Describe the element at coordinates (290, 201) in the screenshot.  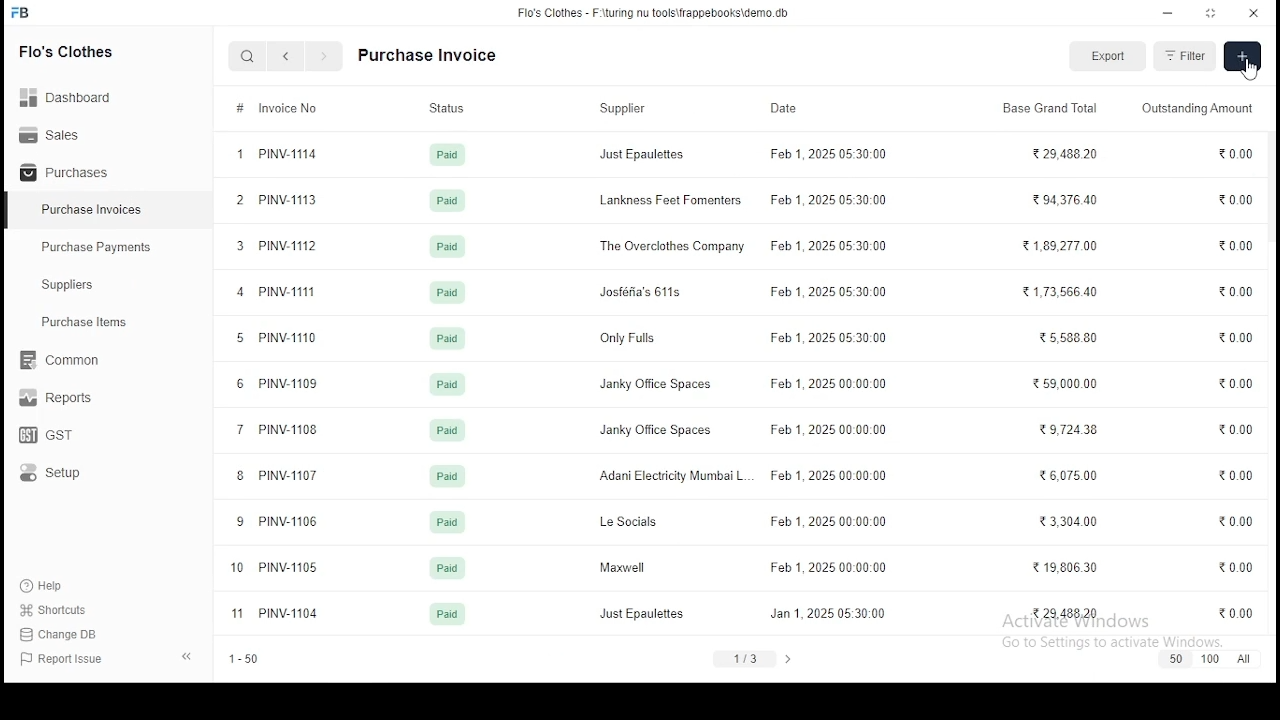
I see `PINV-1113` at that location.